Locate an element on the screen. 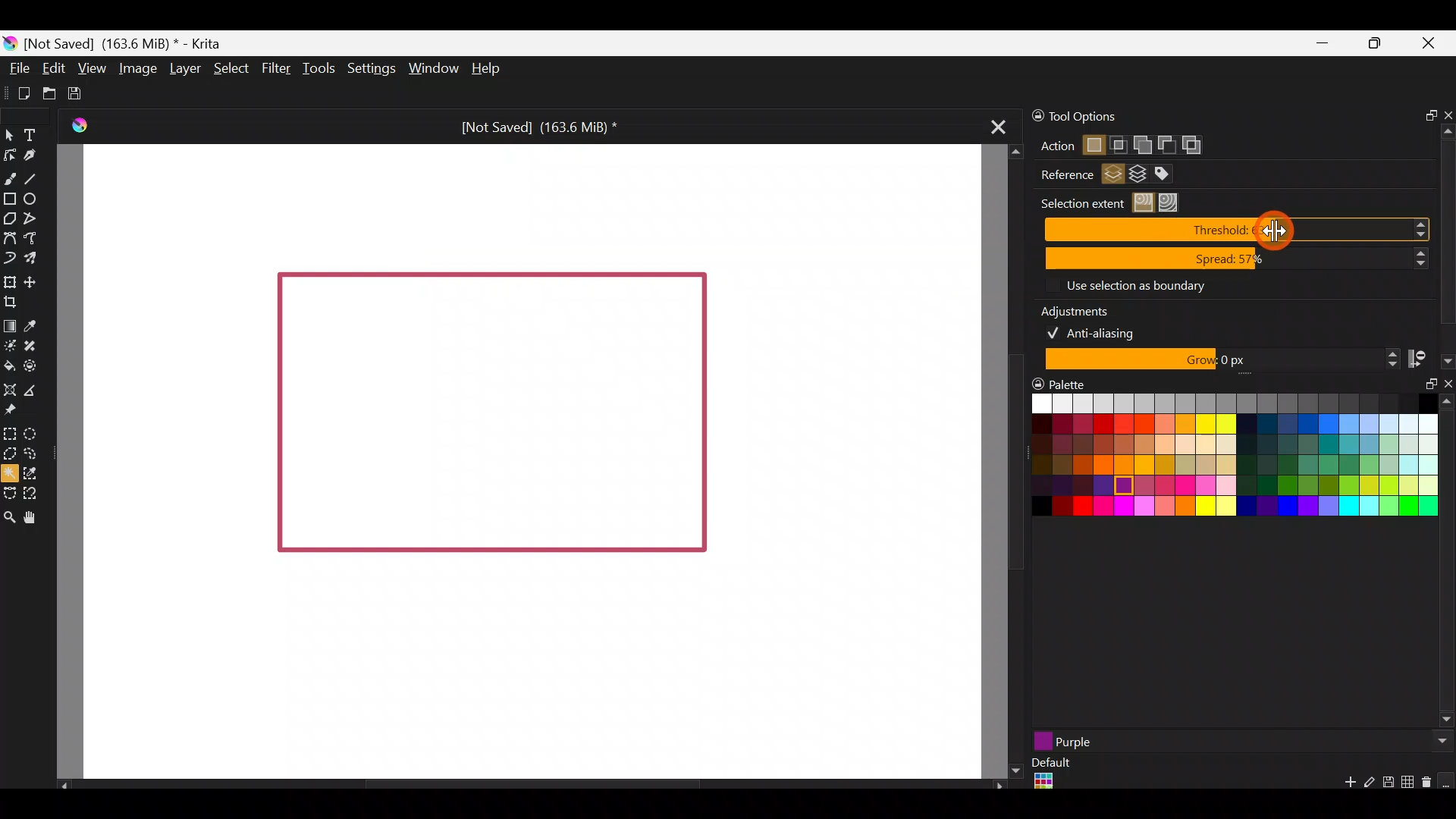 Image resolution: width=1456 pixels, height=819 pixels. Line tool is located at coordinates (36, 174).